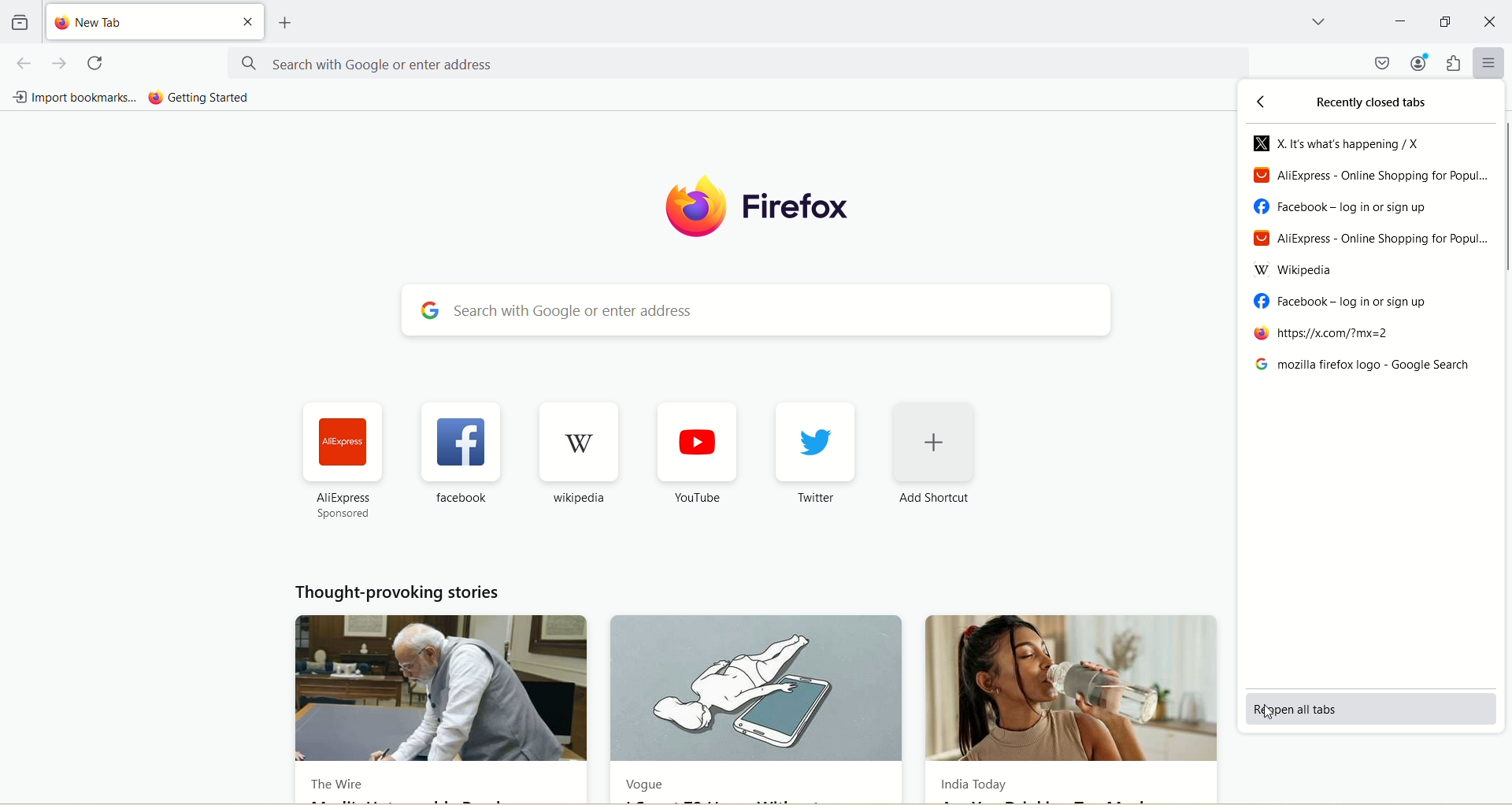 The height and width of the screenshot is (805, 1512). Describe the element at coordinates (1421, 64) in the screenshot. I see `account` at that location.